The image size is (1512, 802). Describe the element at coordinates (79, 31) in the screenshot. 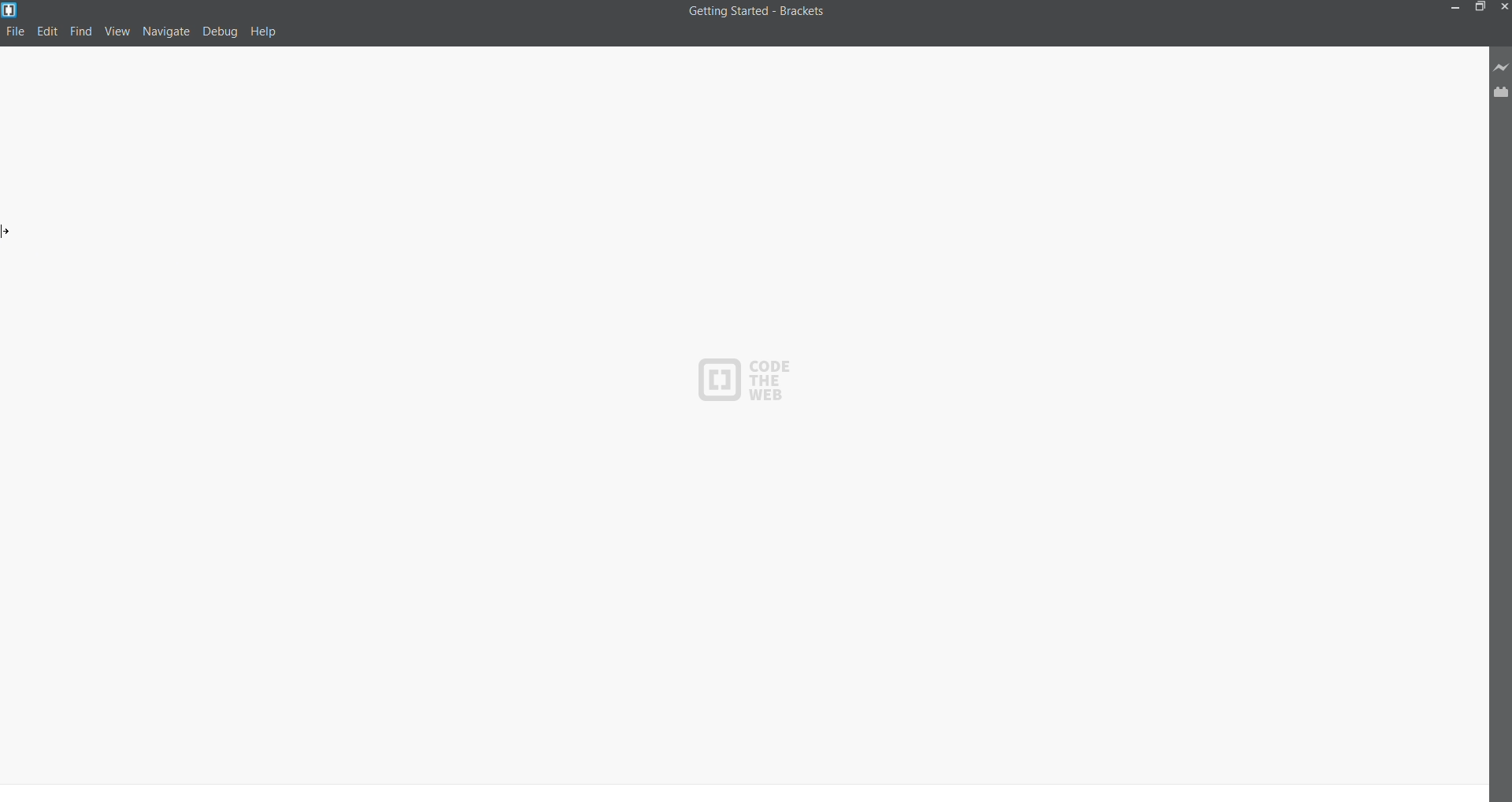

I see `find` at that location.